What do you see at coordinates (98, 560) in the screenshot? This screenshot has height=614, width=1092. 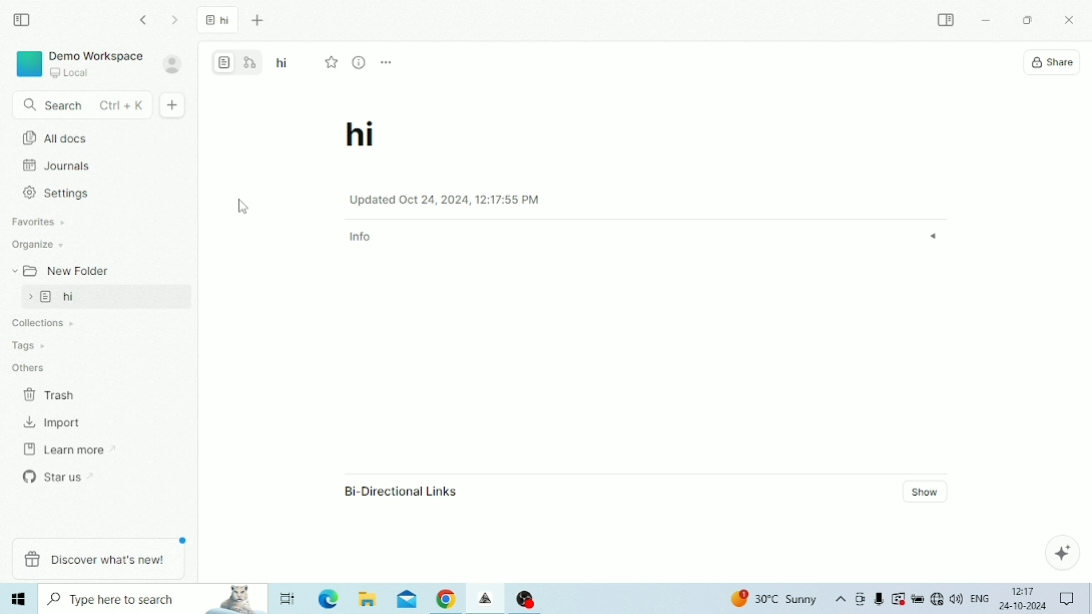 I see `Discover what's new!` at bounding box center [98, 560].